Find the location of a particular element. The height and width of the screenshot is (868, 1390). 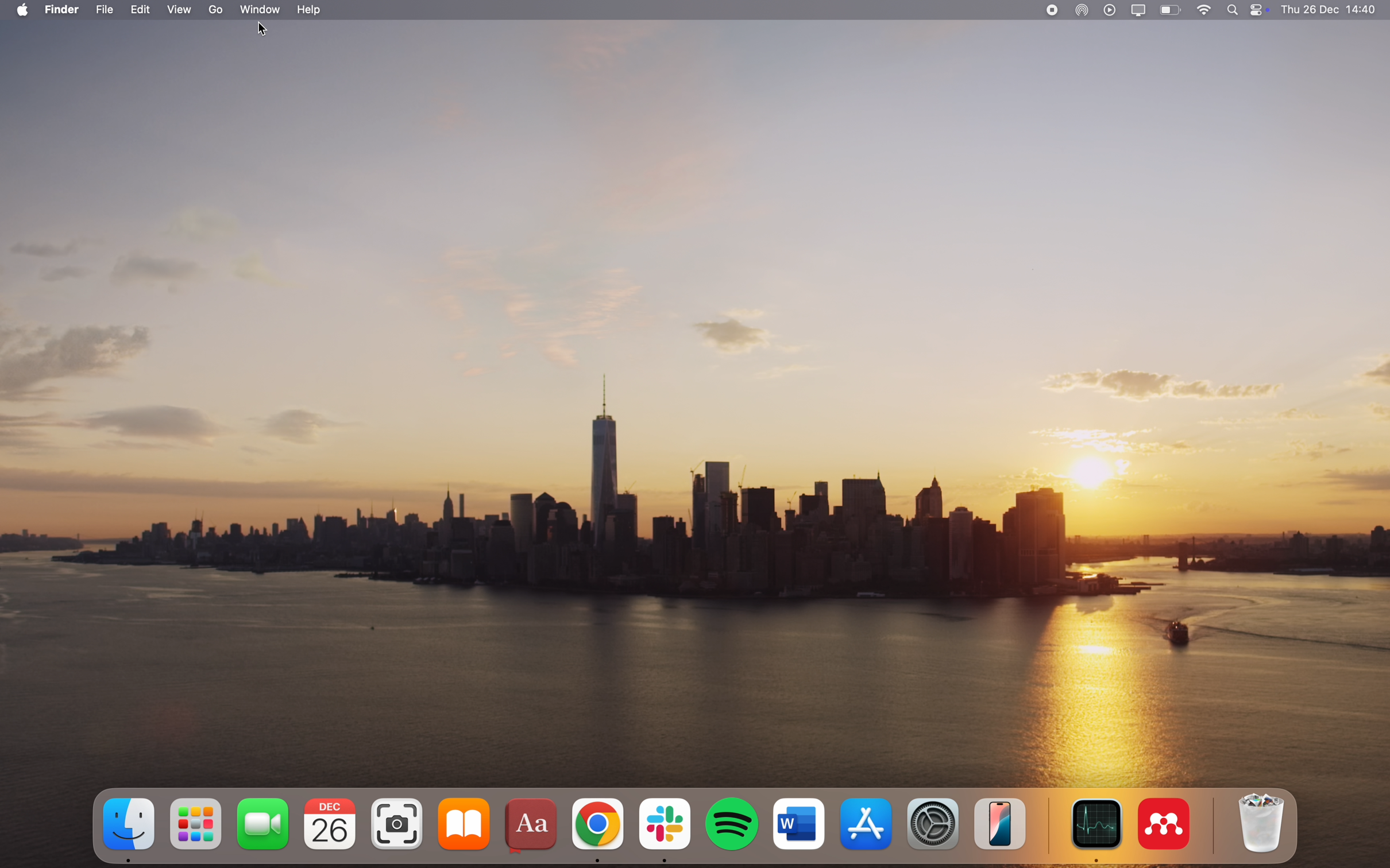

finder is located at coordinates (65, 8).